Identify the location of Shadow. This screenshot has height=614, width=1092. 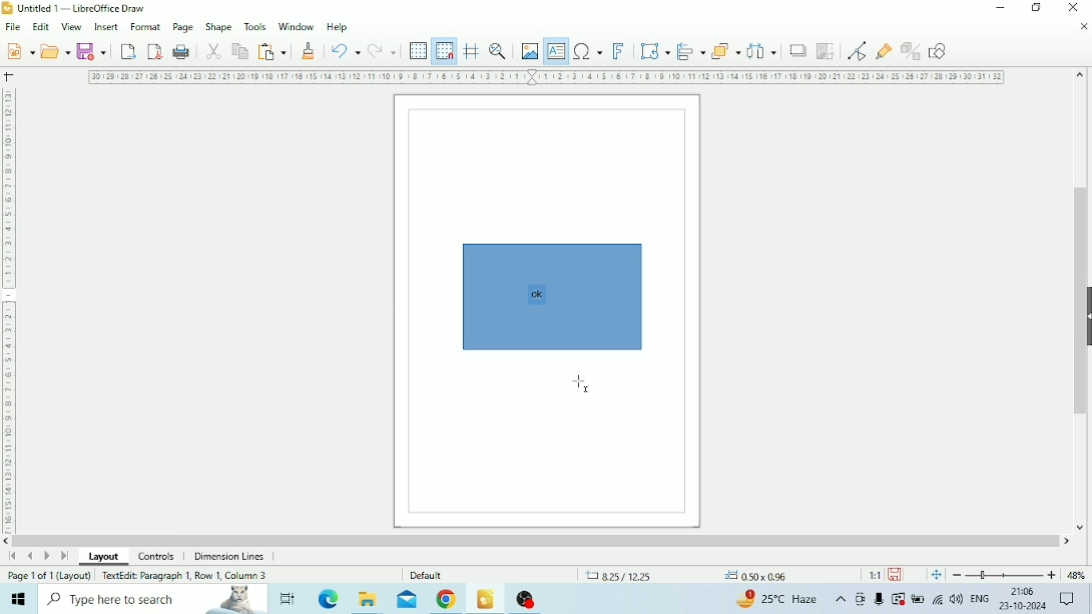
(799, 50).